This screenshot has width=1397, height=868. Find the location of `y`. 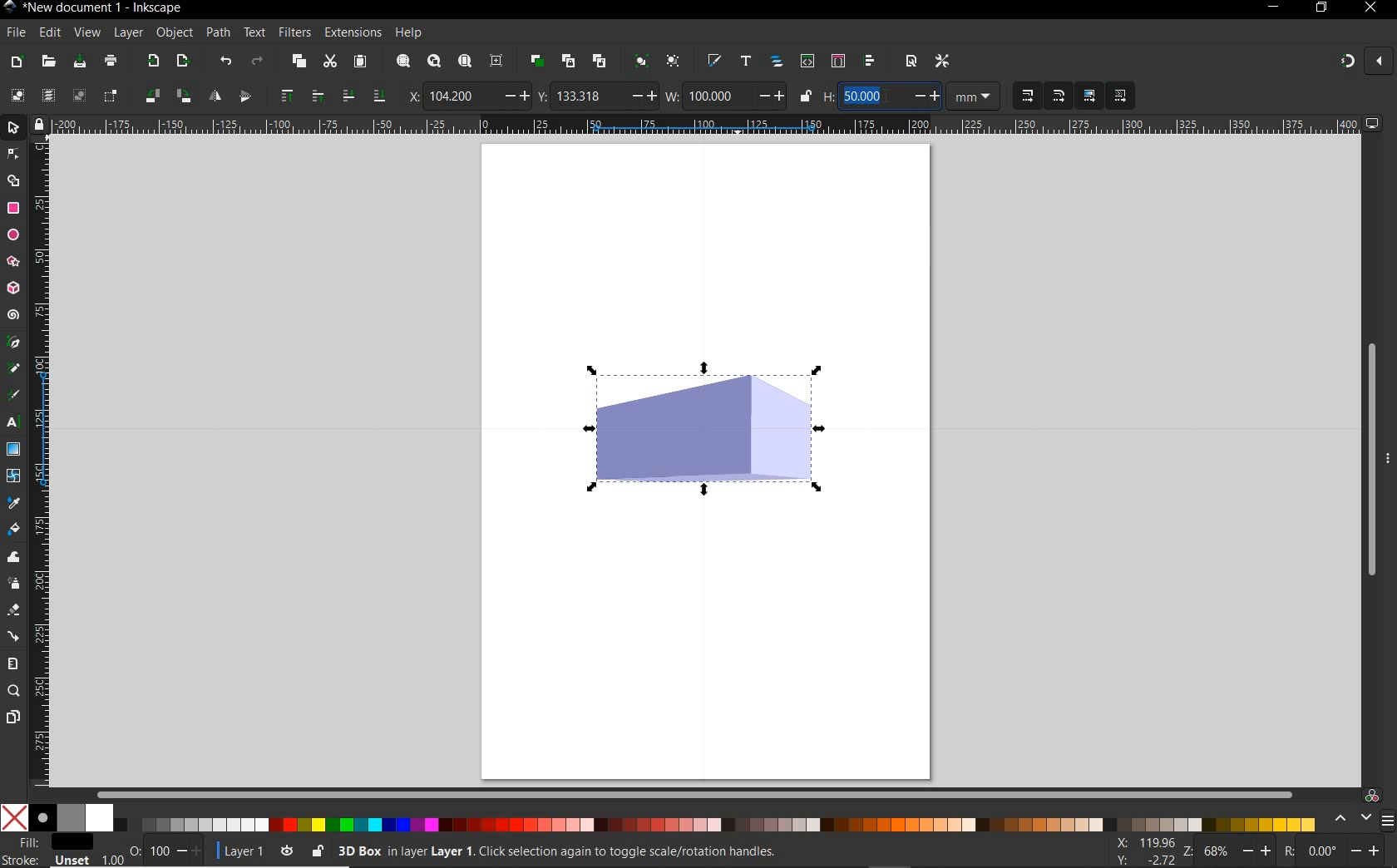

y is located at coordinates (543, 96).